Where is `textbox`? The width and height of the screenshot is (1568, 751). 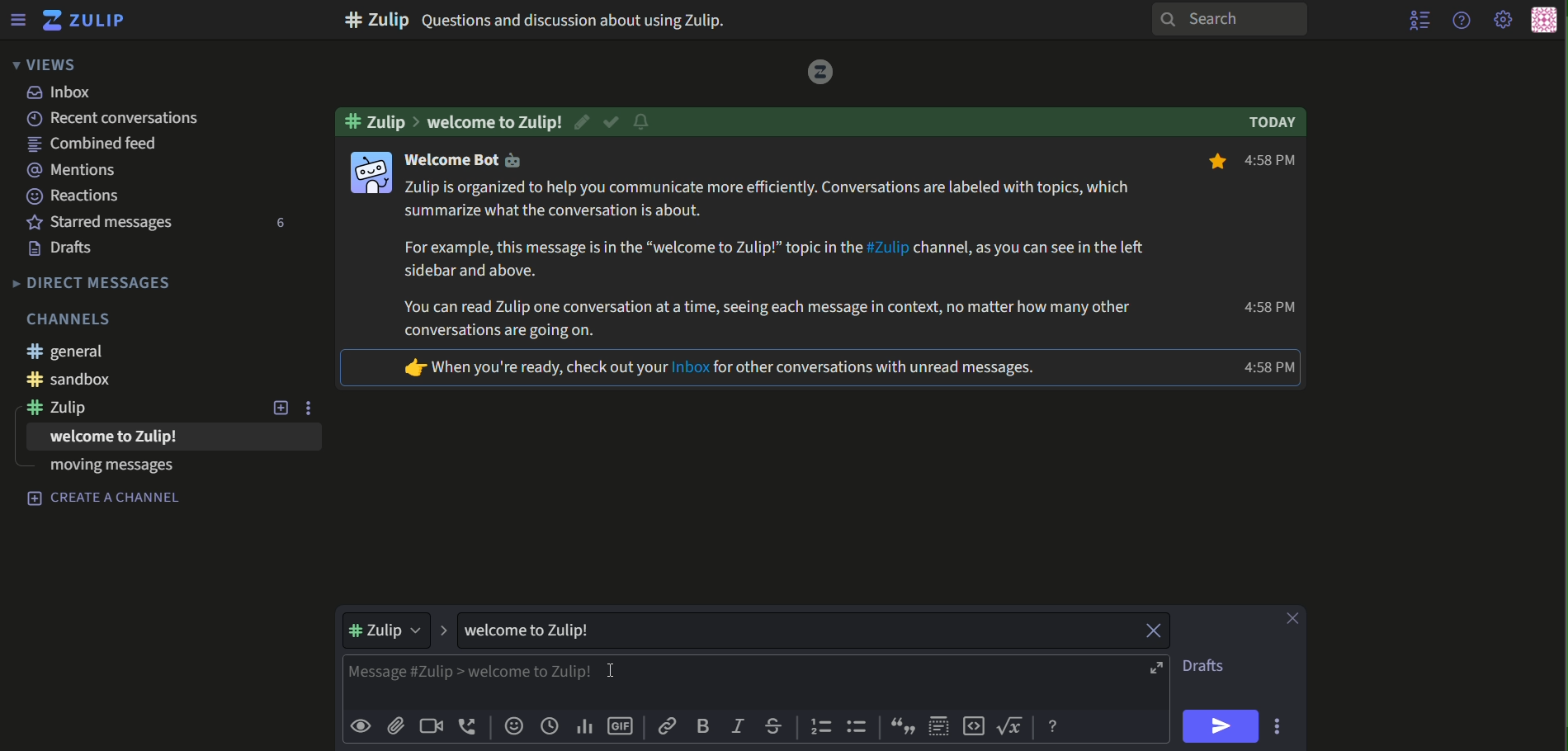
textbox is located at coordinates (725, 683).